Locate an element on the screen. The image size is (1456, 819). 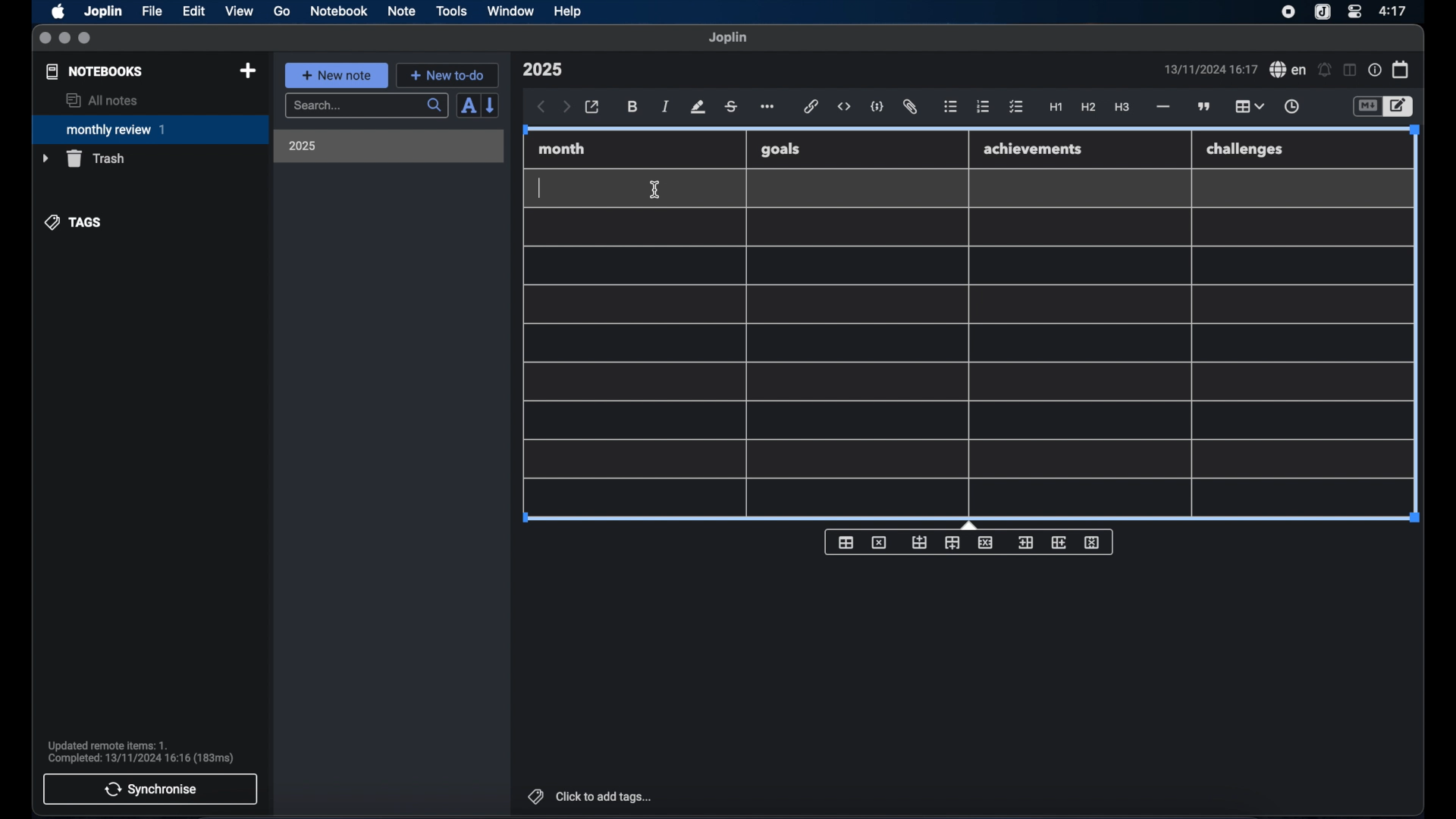
screen recorder icon is located at coordinates (1288, 12).